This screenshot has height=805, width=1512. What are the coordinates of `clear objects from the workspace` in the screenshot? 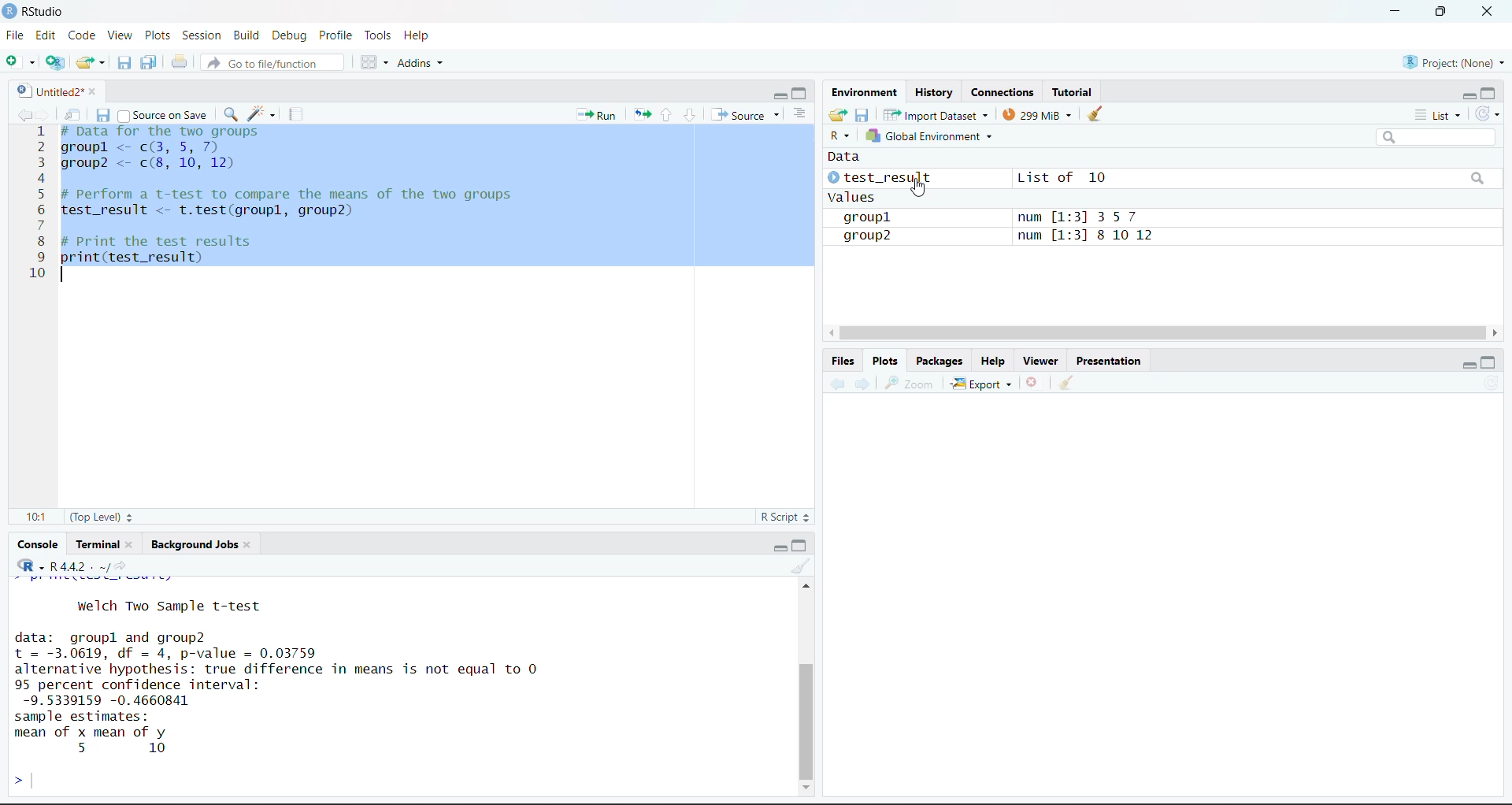 It's located at (1095, 113).